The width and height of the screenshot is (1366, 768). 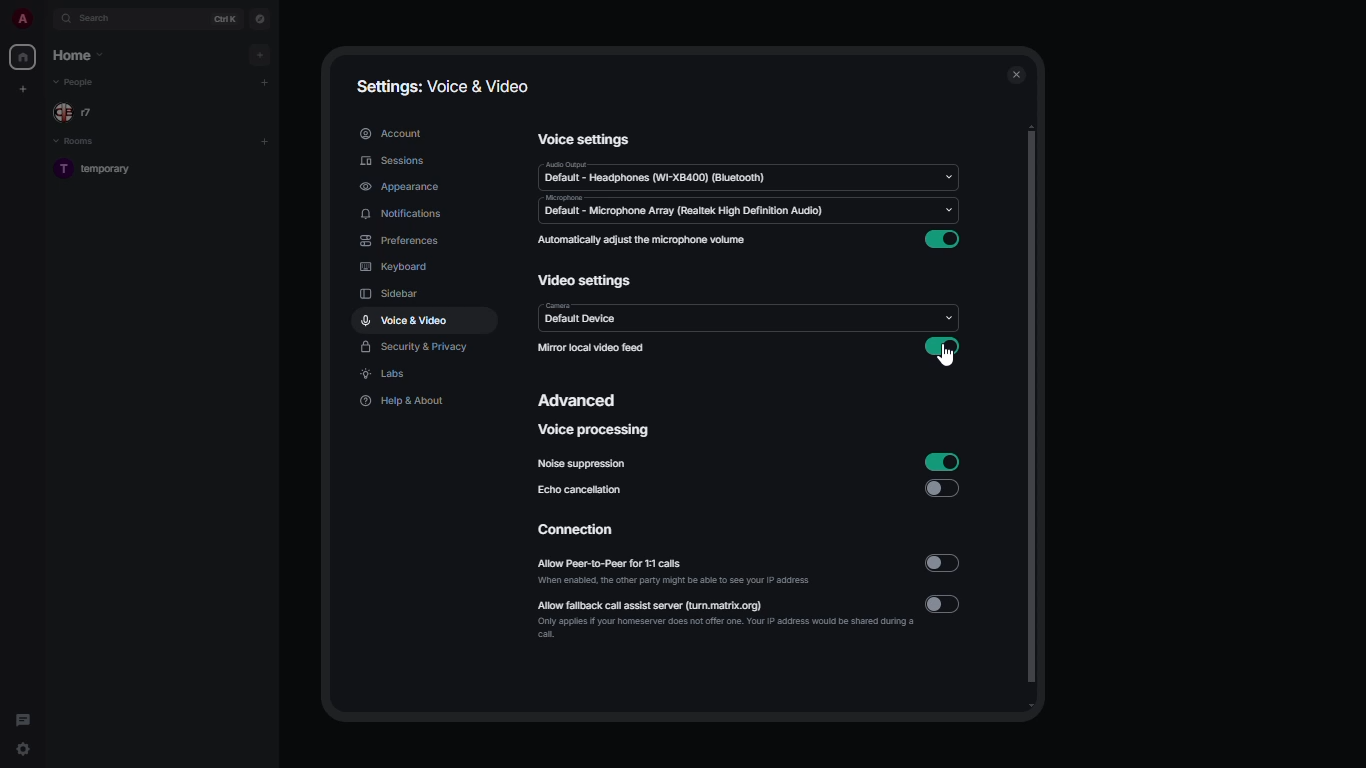 I want to click on video settings, so click(x=586, y=279).